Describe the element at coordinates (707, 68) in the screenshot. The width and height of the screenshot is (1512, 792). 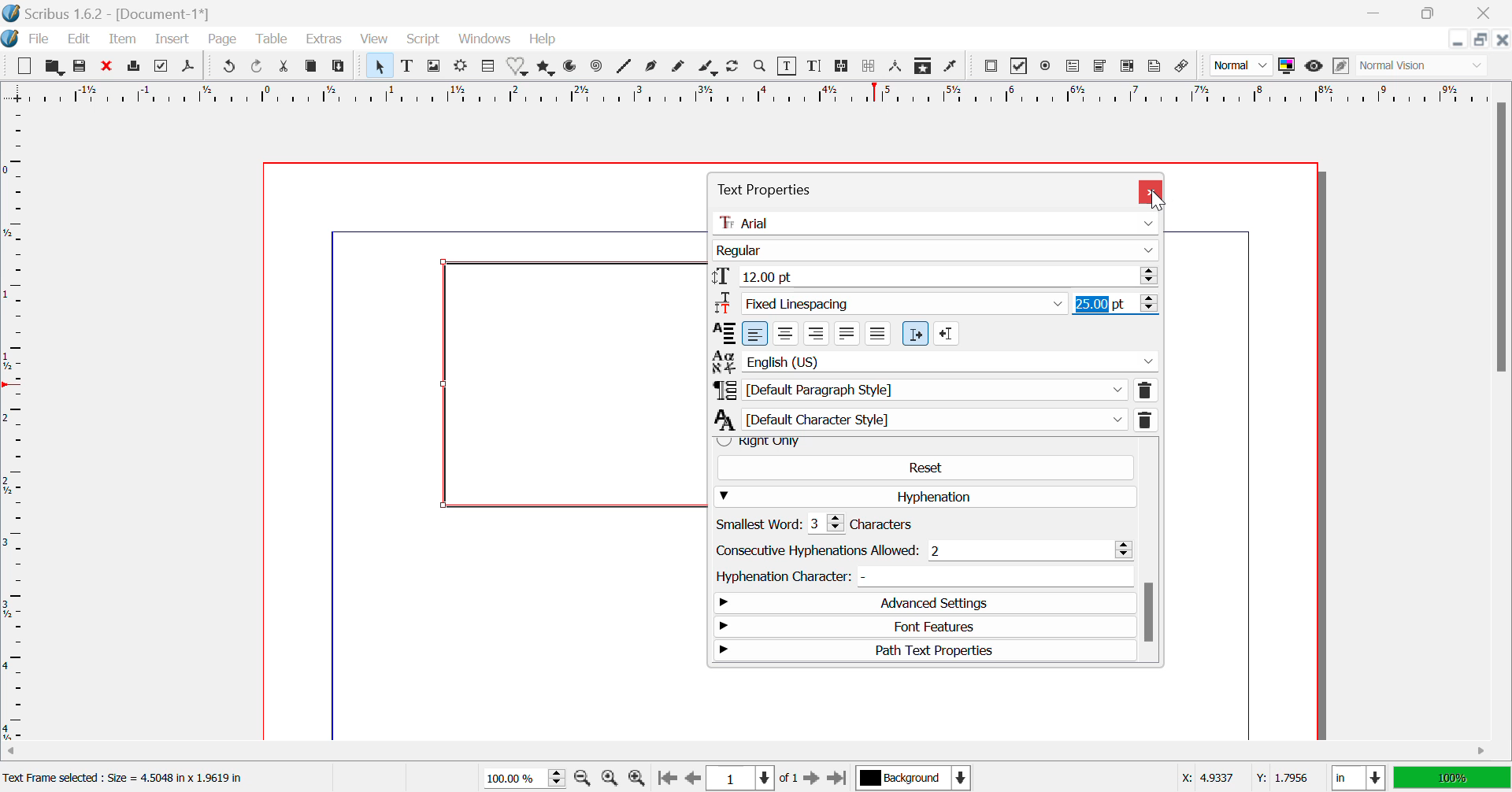
I see `Calligraphic Line` at that location.